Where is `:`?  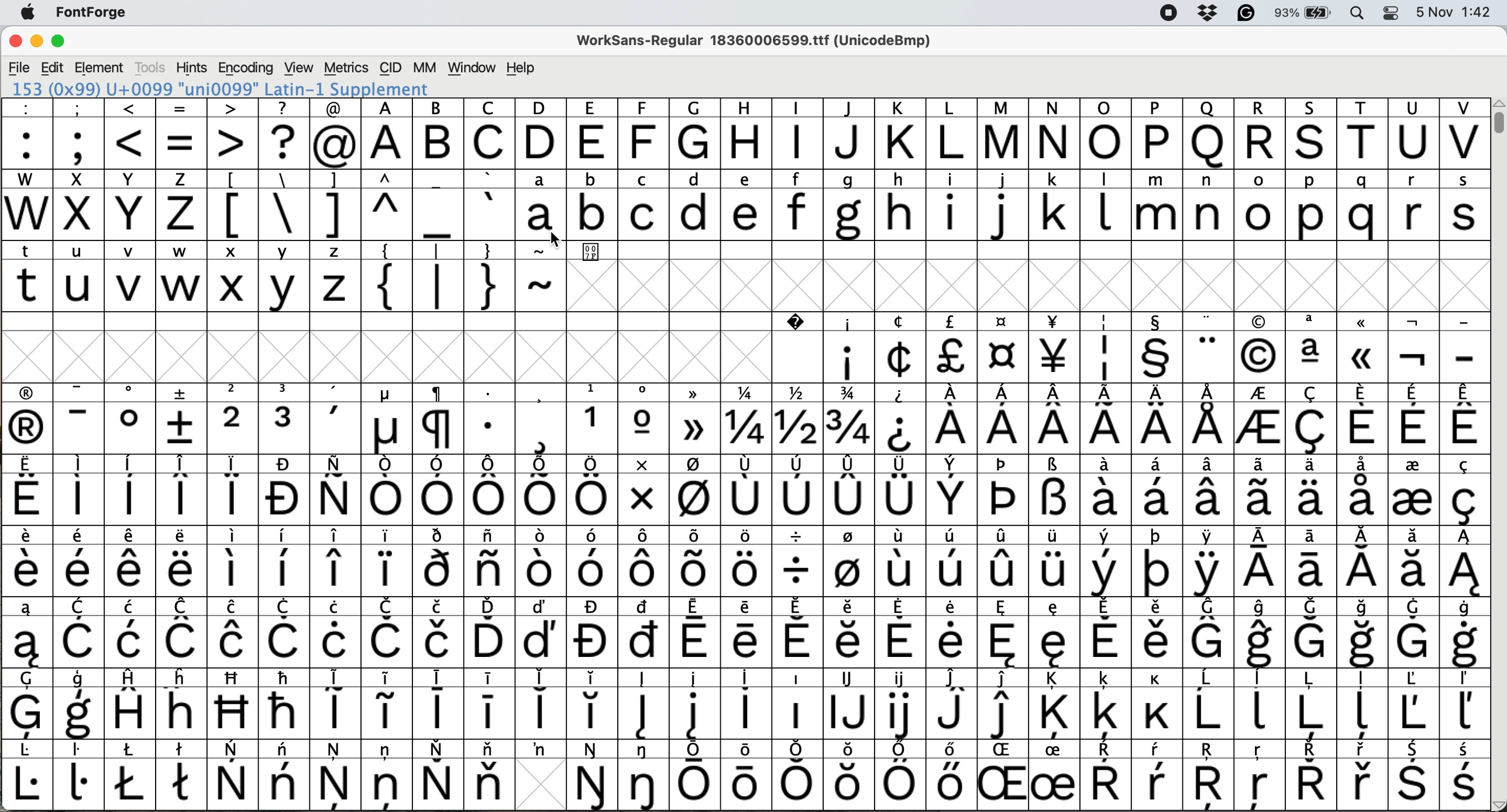 : is located at coordinates (28, 134).